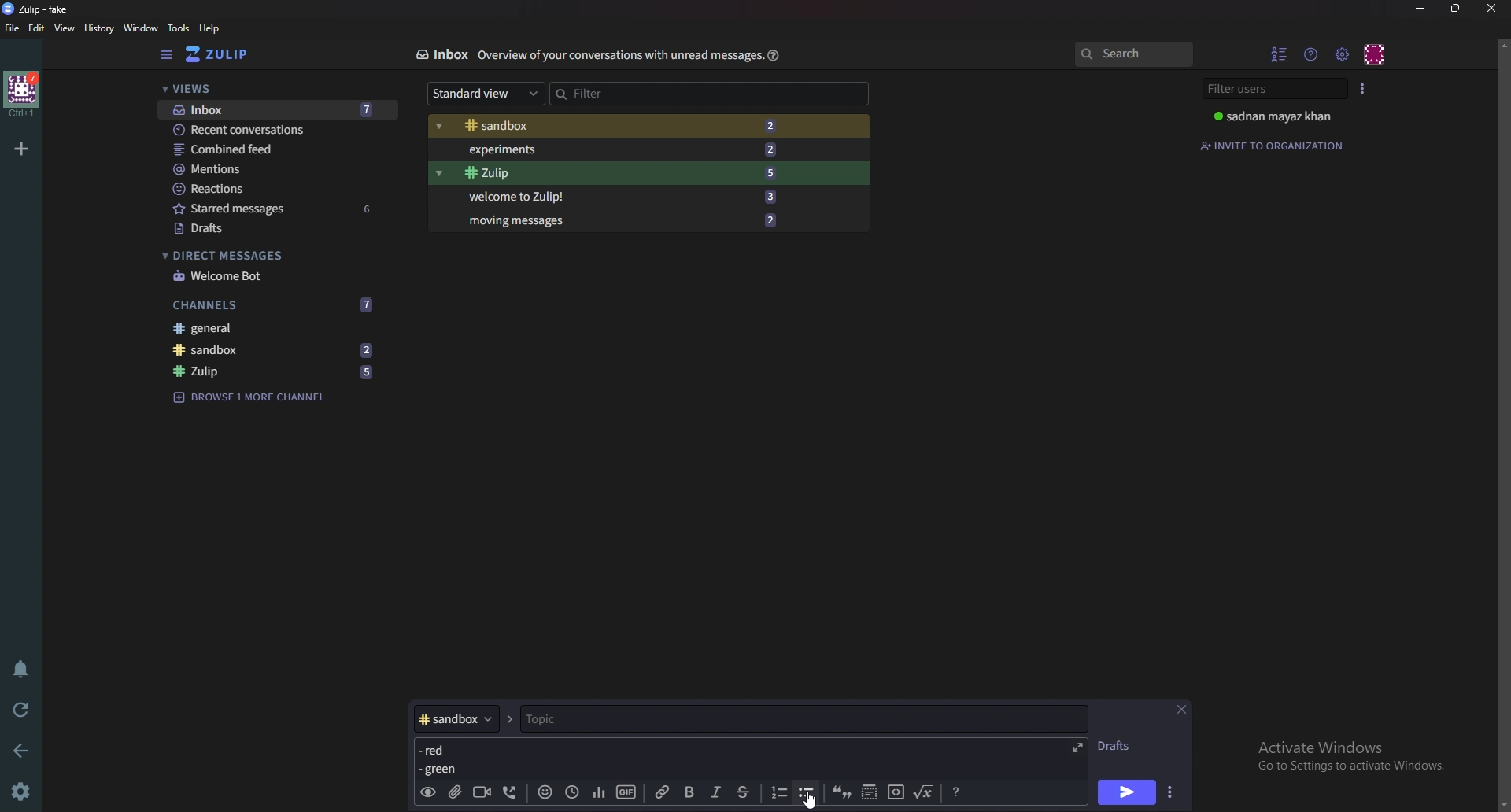  What do you see at coordinates (24, 666) in the screenshot?
I see `Enable do not disturb` at bounding box center [24, 666].